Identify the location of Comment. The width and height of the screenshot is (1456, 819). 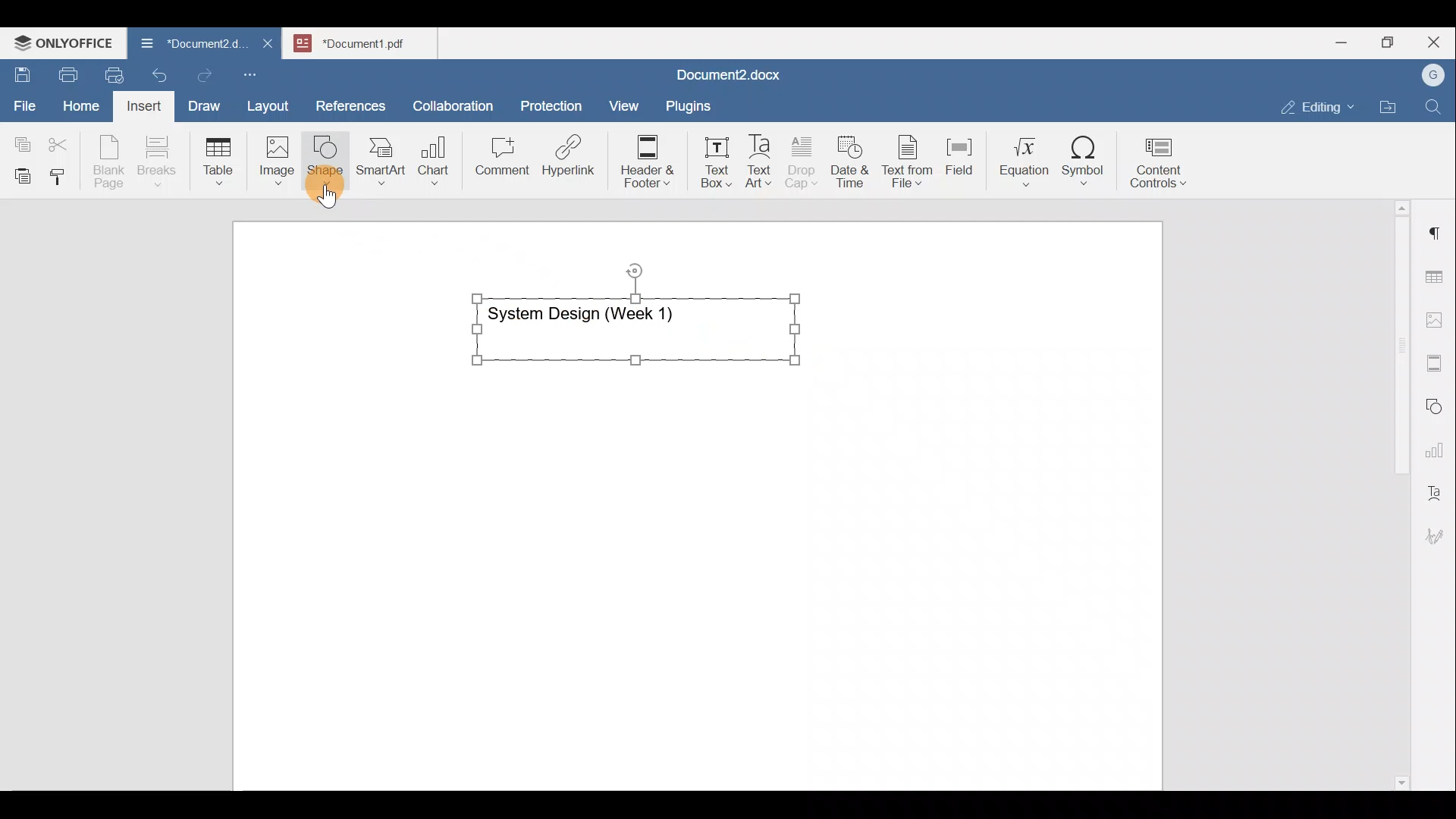
(497, 160).